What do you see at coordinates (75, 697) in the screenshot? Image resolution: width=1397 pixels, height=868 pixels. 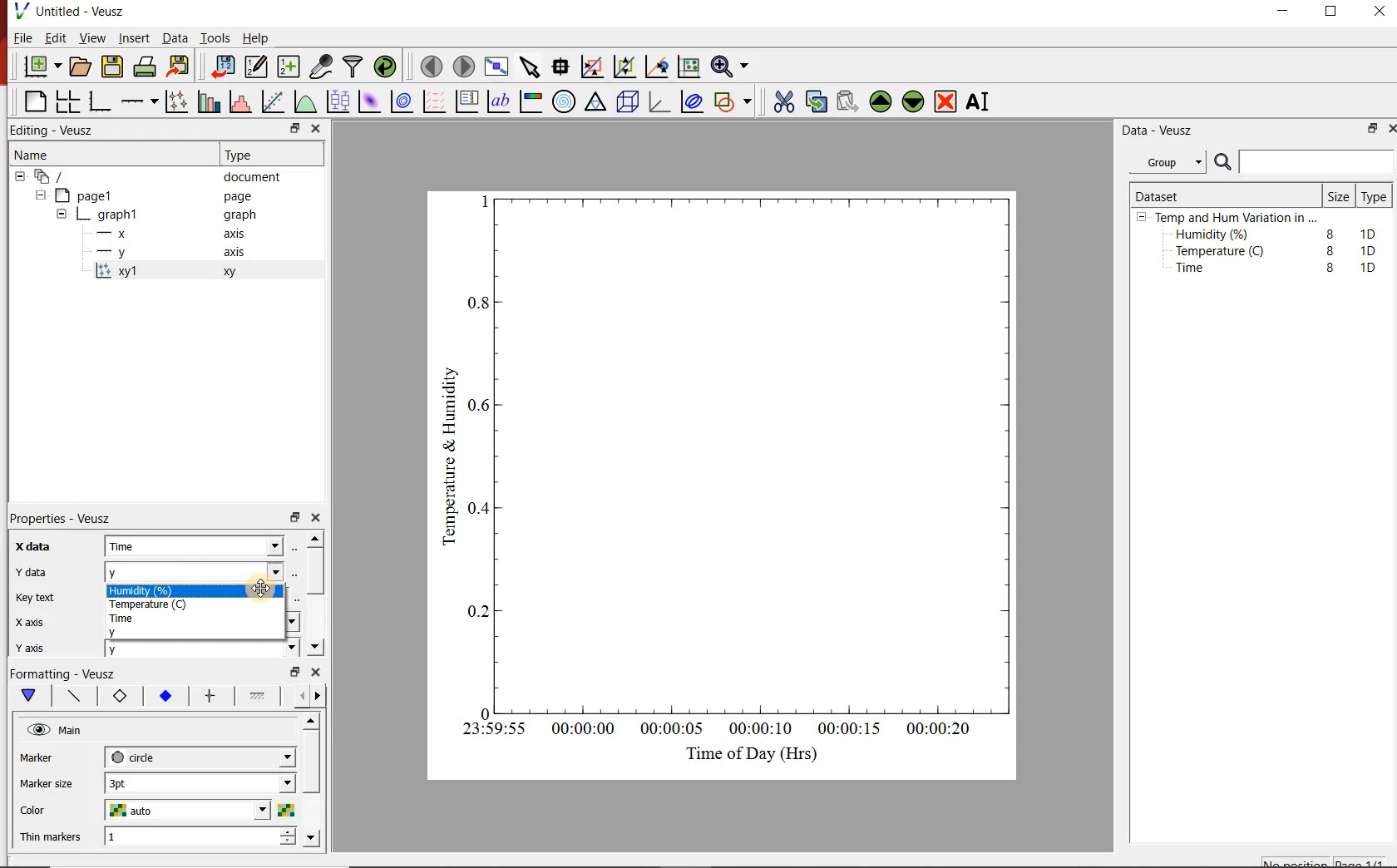 I see `plot line` at bounding box center [75, 697].